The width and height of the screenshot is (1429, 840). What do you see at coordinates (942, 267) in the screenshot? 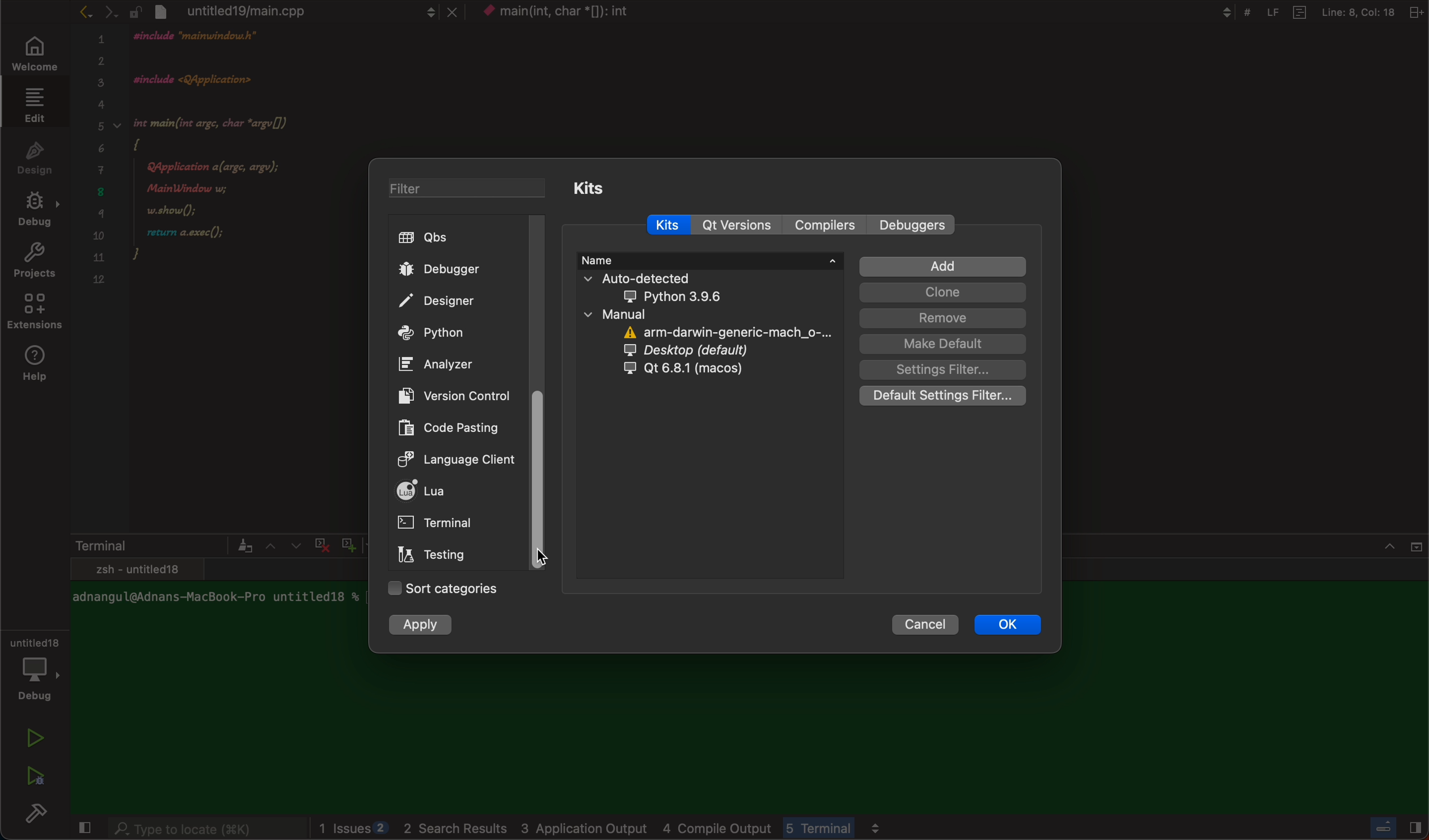
I see `add` at bounding box center [942, 267].